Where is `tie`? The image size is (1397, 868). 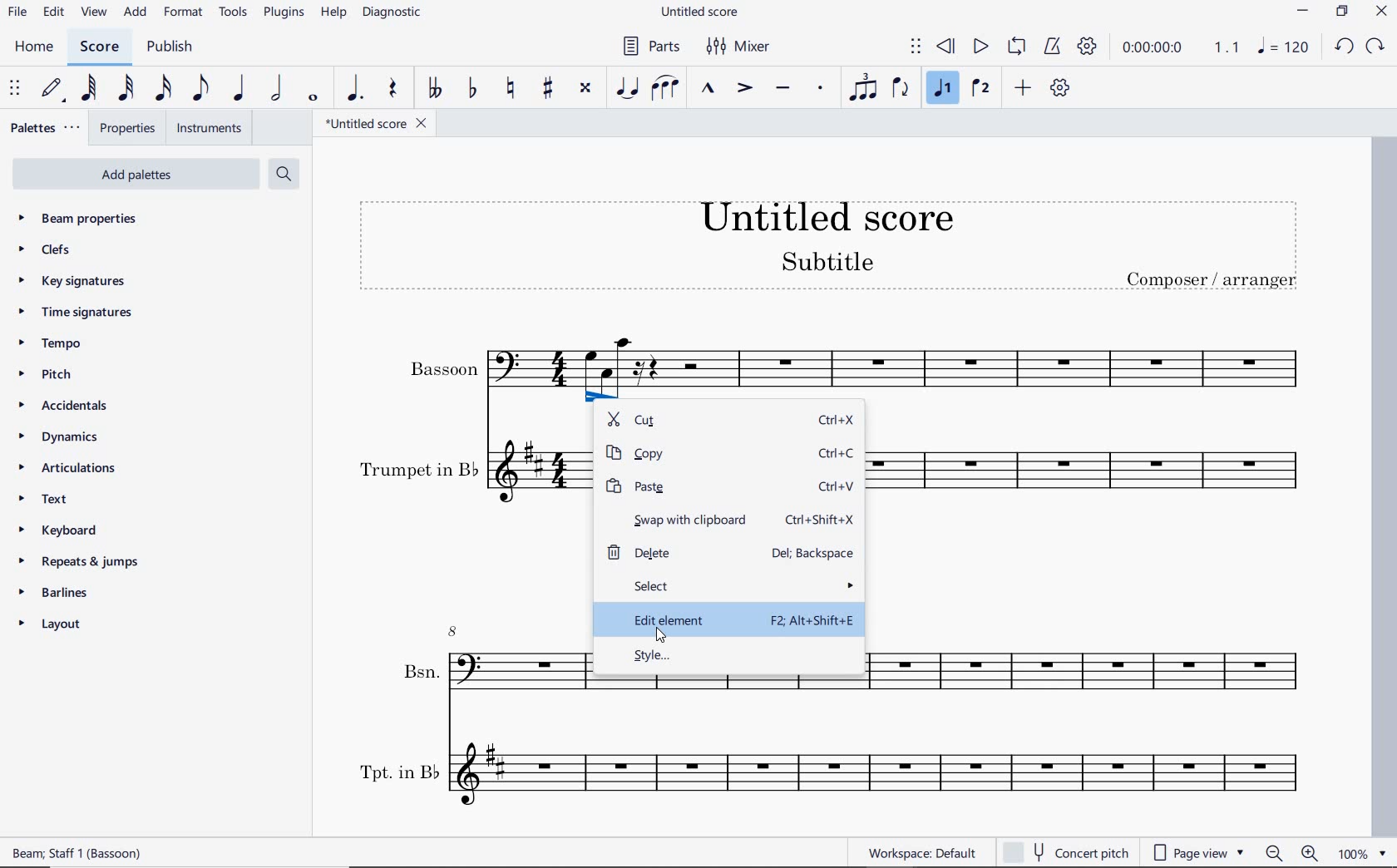
tie is located at coordinates (628, 89).